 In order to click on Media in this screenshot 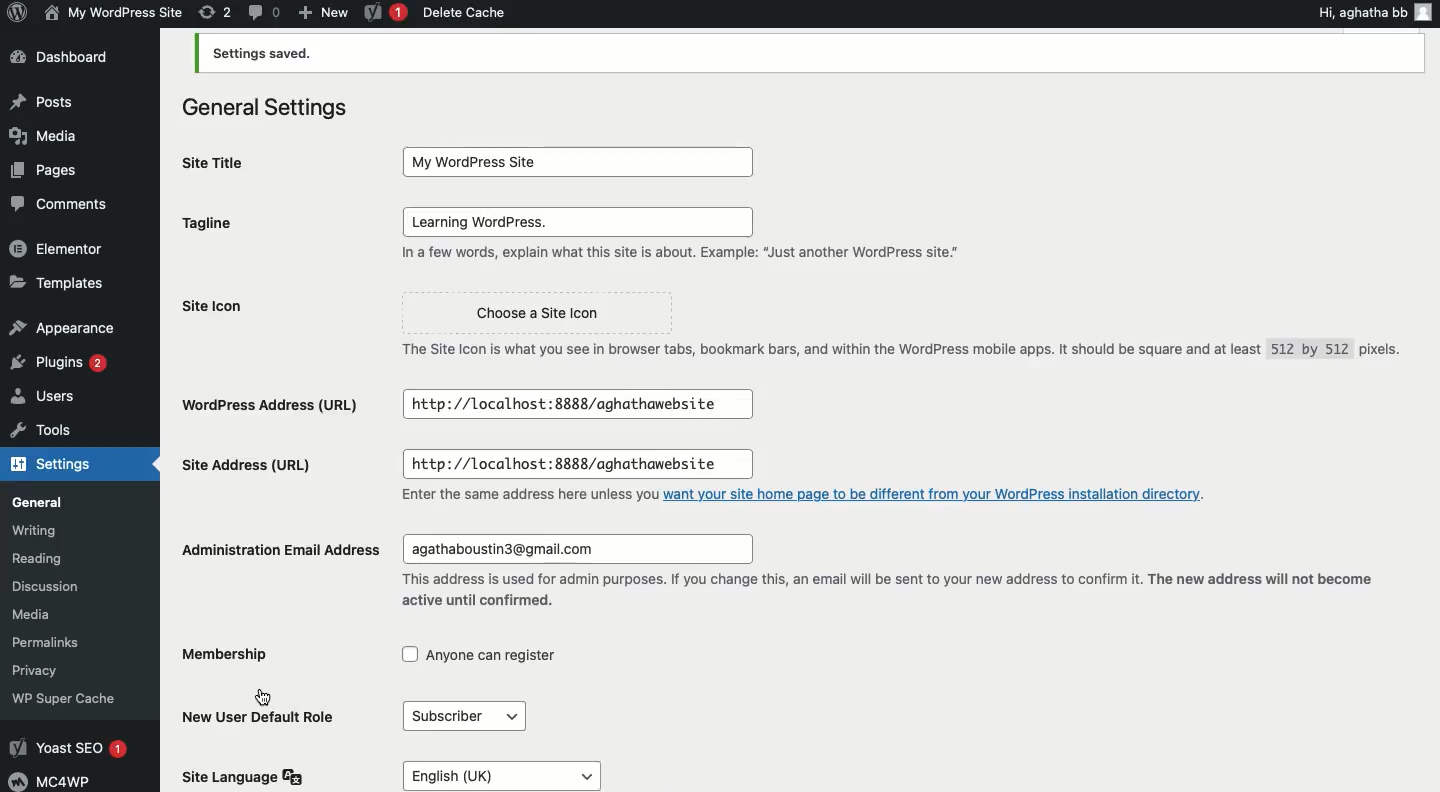, I will do `click(43, 615)`.